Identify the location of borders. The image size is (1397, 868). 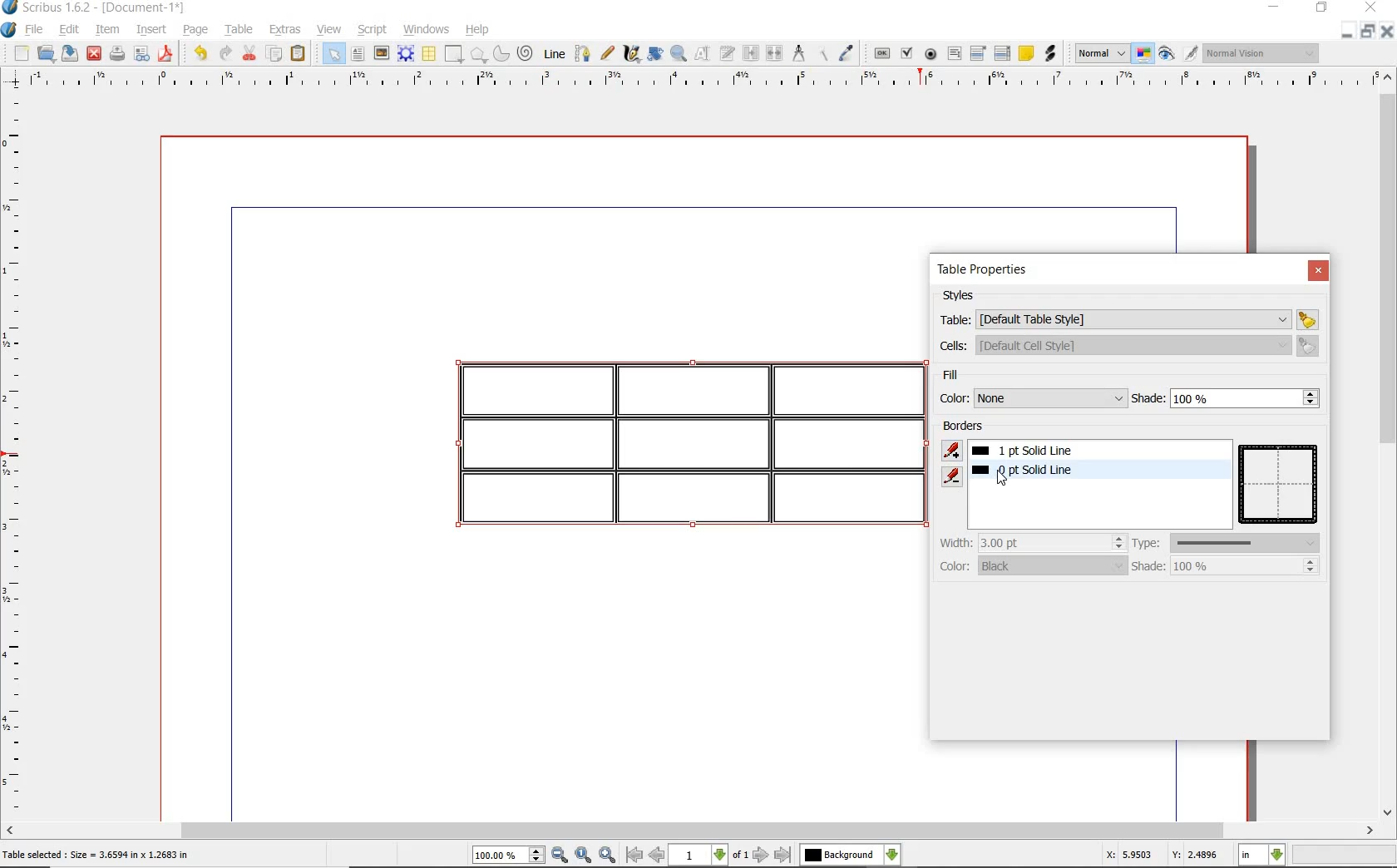
(966, 427).